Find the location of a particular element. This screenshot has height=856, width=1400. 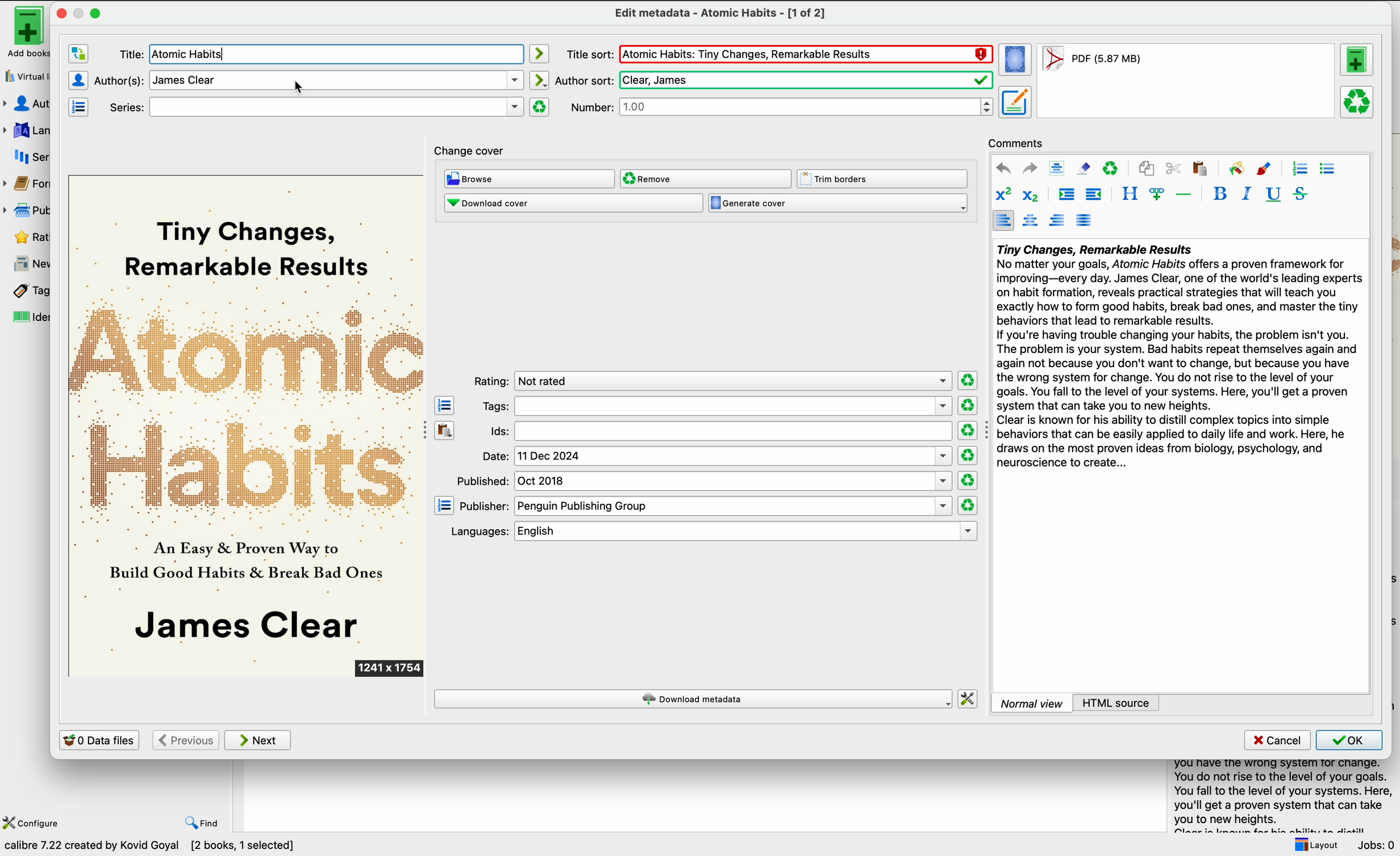

download cover is located at coordinates (573, 204).